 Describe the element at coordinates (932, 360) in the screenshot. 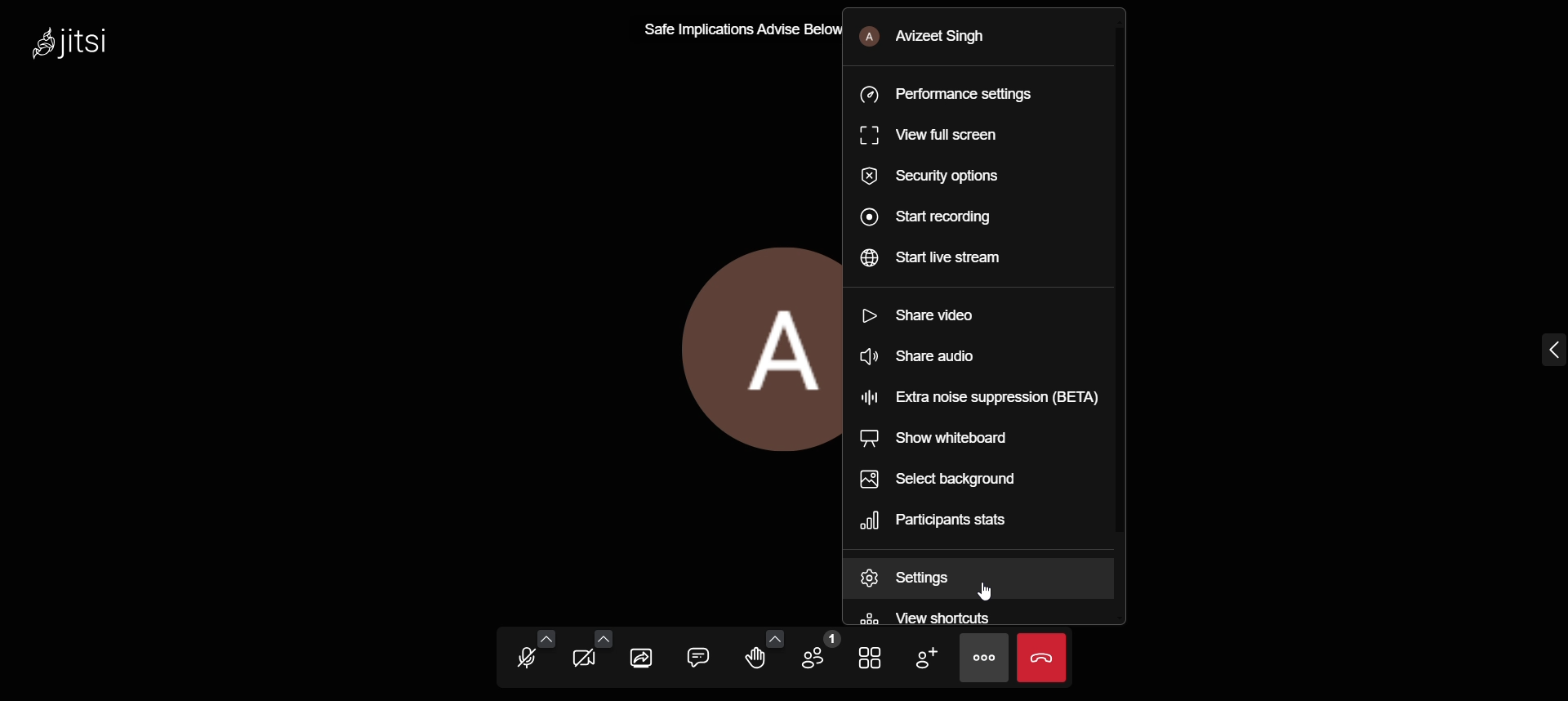

I see `share audio` at that location.